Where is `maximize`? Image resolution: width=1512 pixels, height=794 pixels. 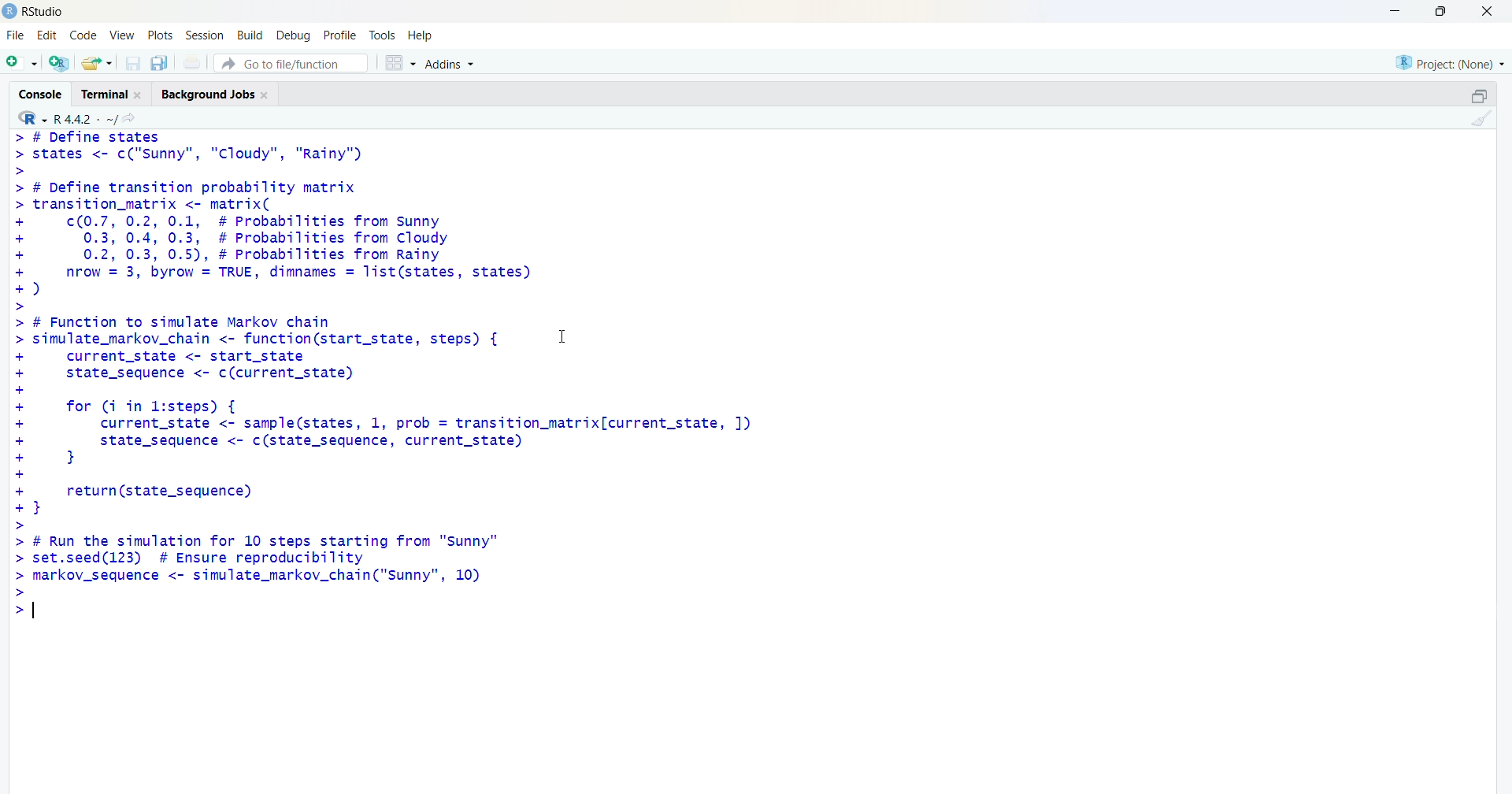
maximize is located at coordinates (1438, 11).